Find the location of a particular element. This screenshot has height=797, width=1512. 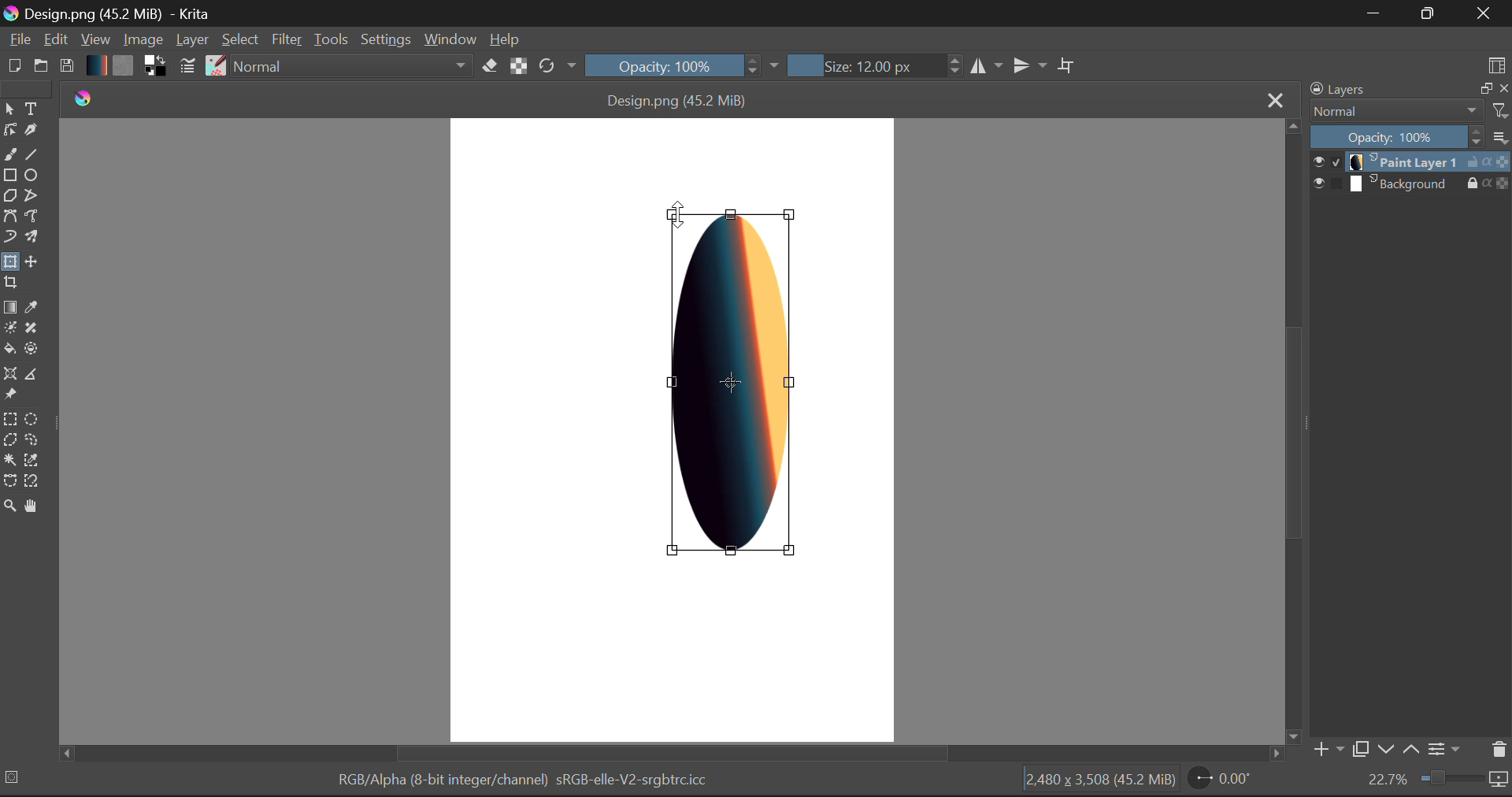

Pan is located at coordinates (33, 508).